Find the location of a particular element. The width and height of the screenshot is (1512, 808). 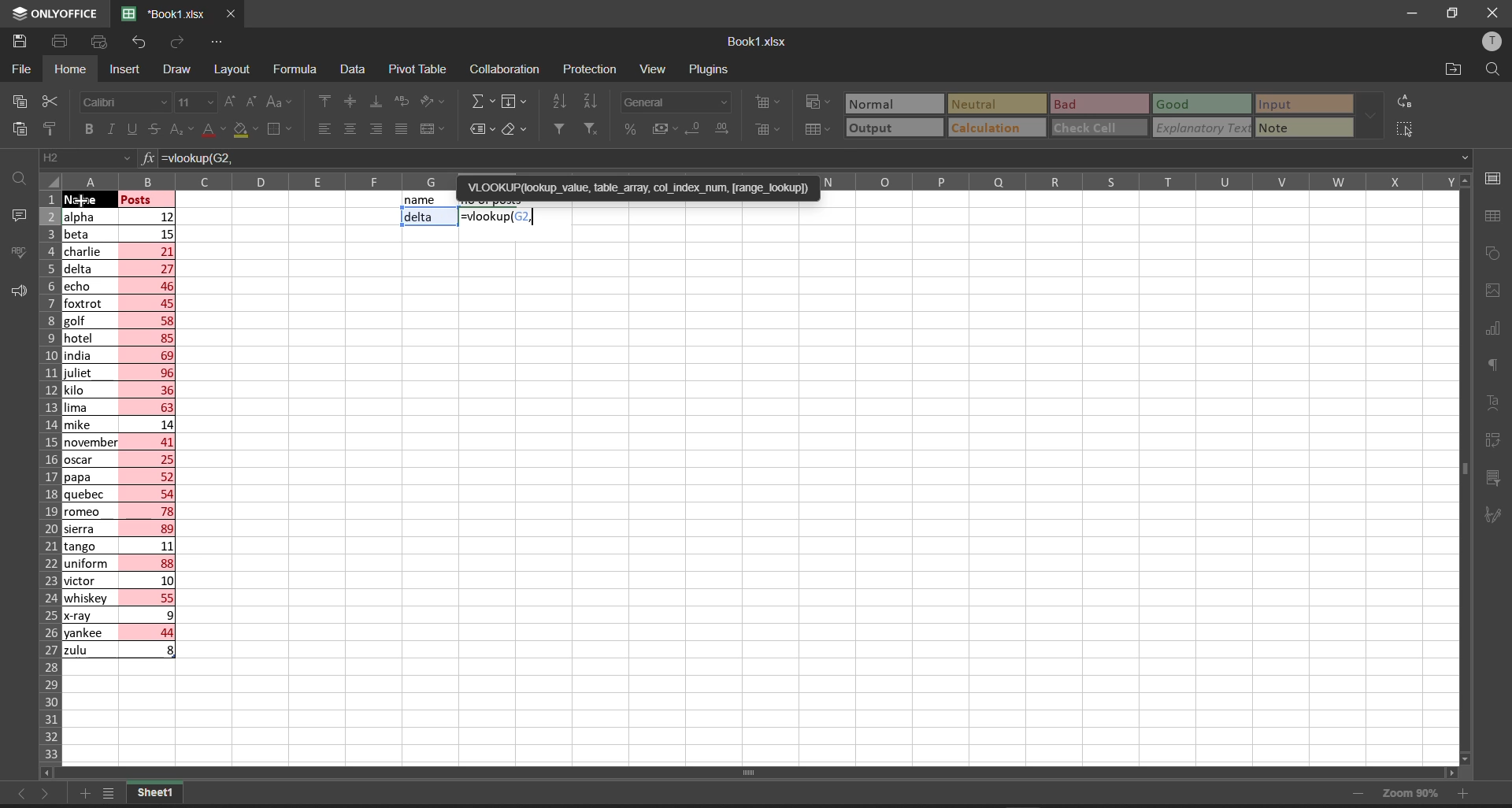

maximize is located at coordinates (1455, 14).